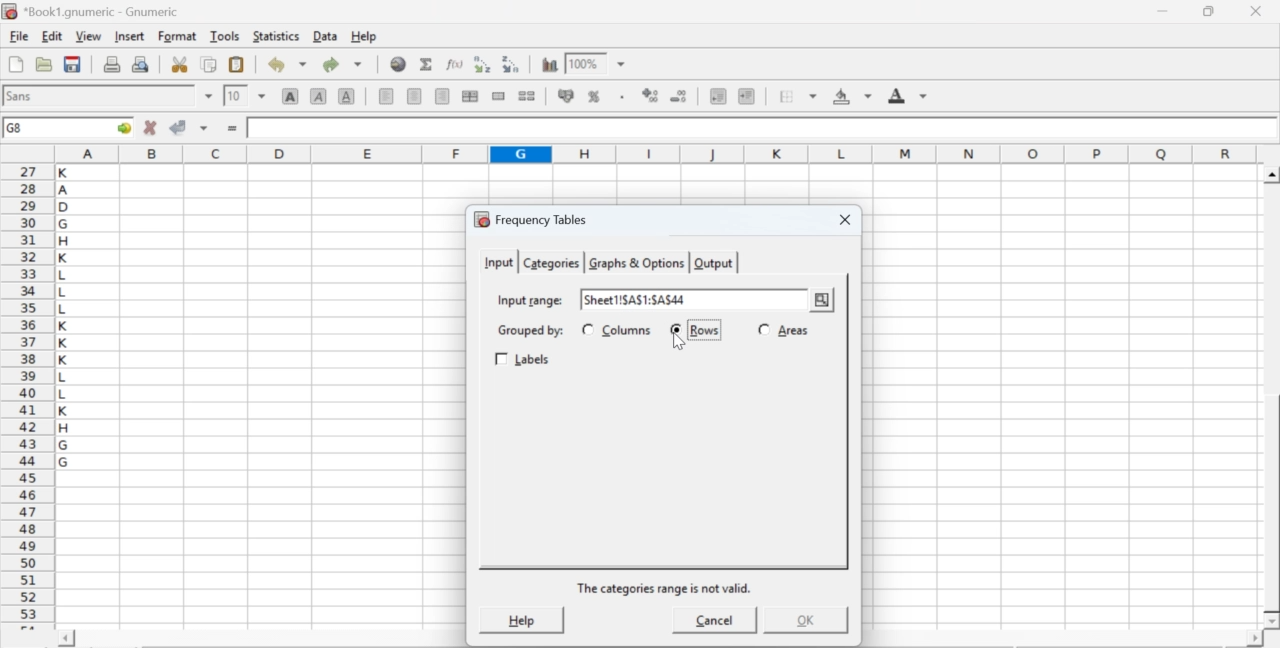 The width and height of the screenshot is (1280, 648). What do you see at coordinates (485, 64) in the screenshot?
I see `Sort the selected region in ascending order based on the first column selected` at bounding box center [485, 64].